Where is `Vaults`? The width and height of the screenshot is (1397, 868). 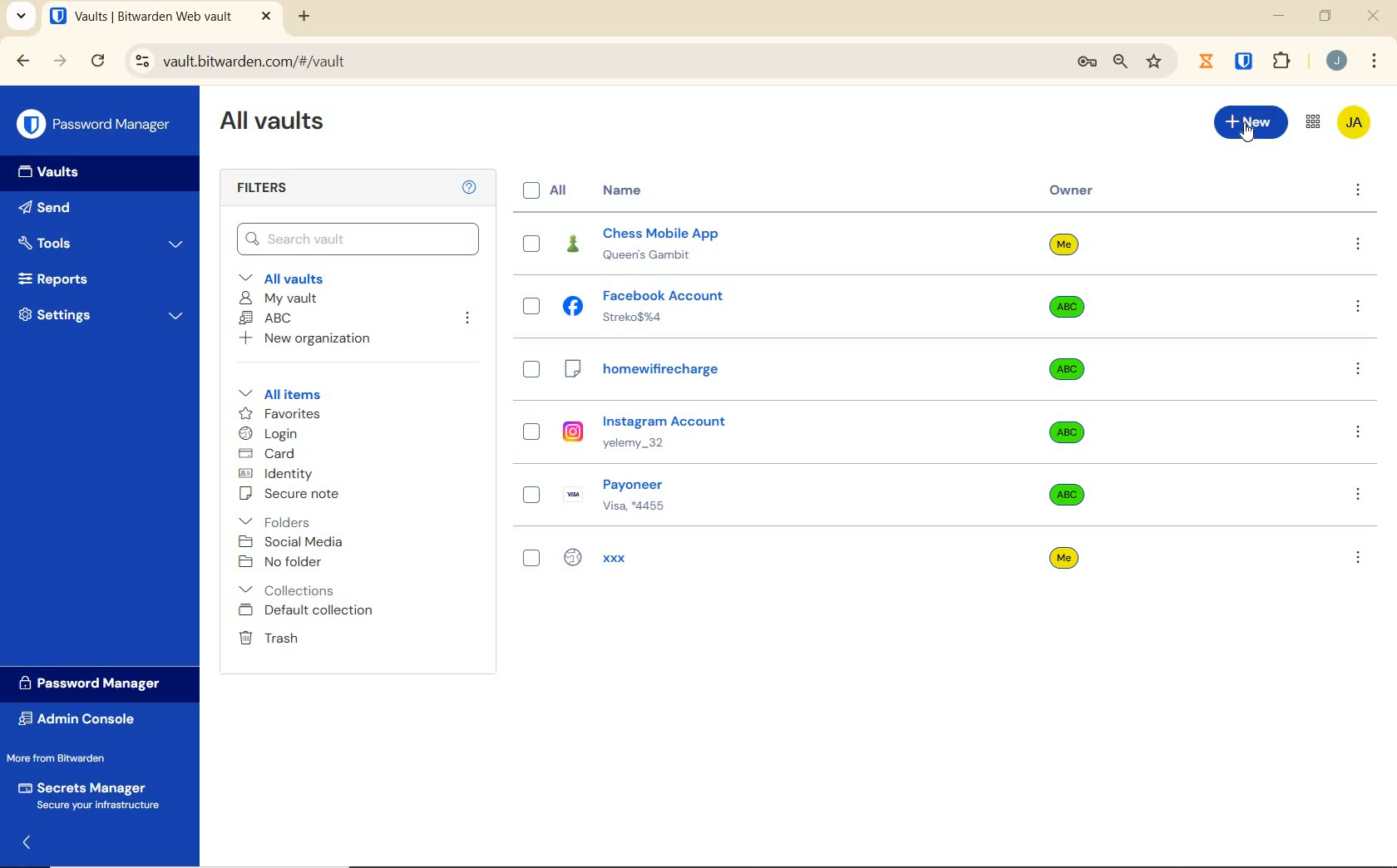
Vaults is located at coordinates (51, 170).